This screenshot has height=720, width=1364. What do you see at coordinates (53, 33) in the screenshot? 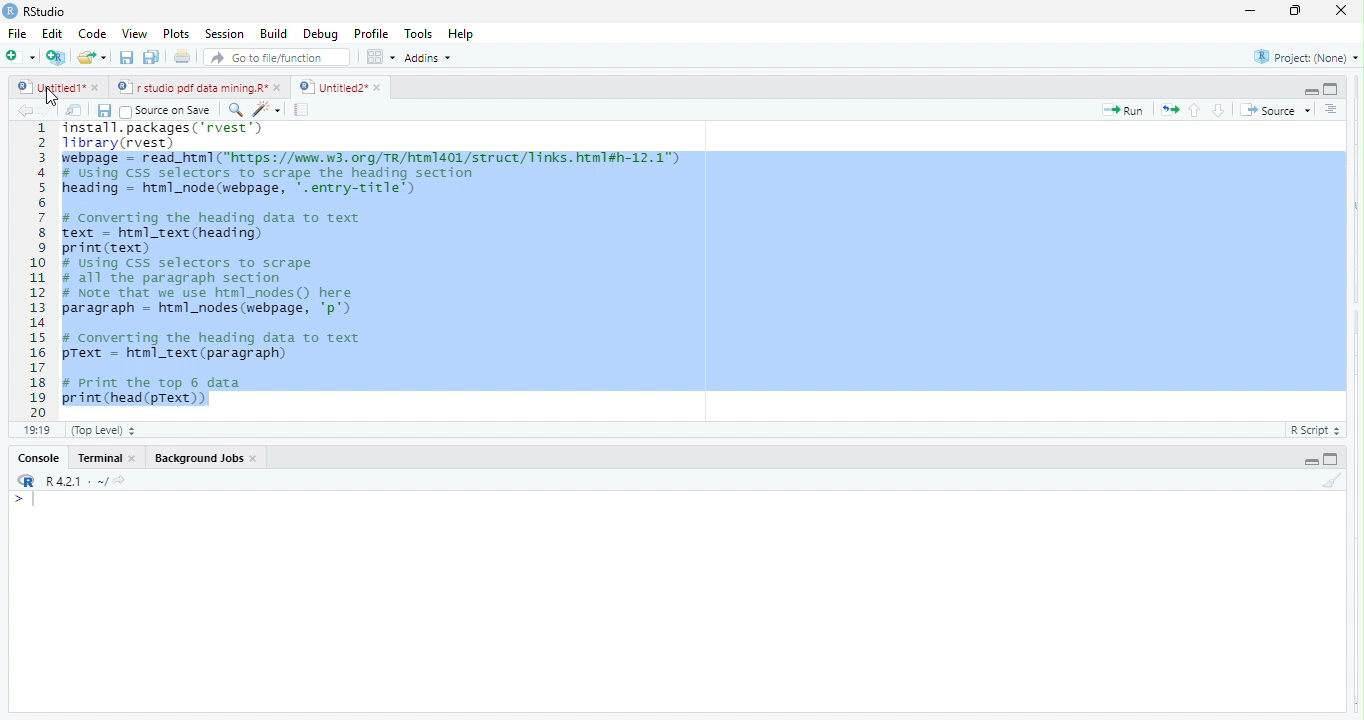
I see `Edit` at bounding box center [53, 33].